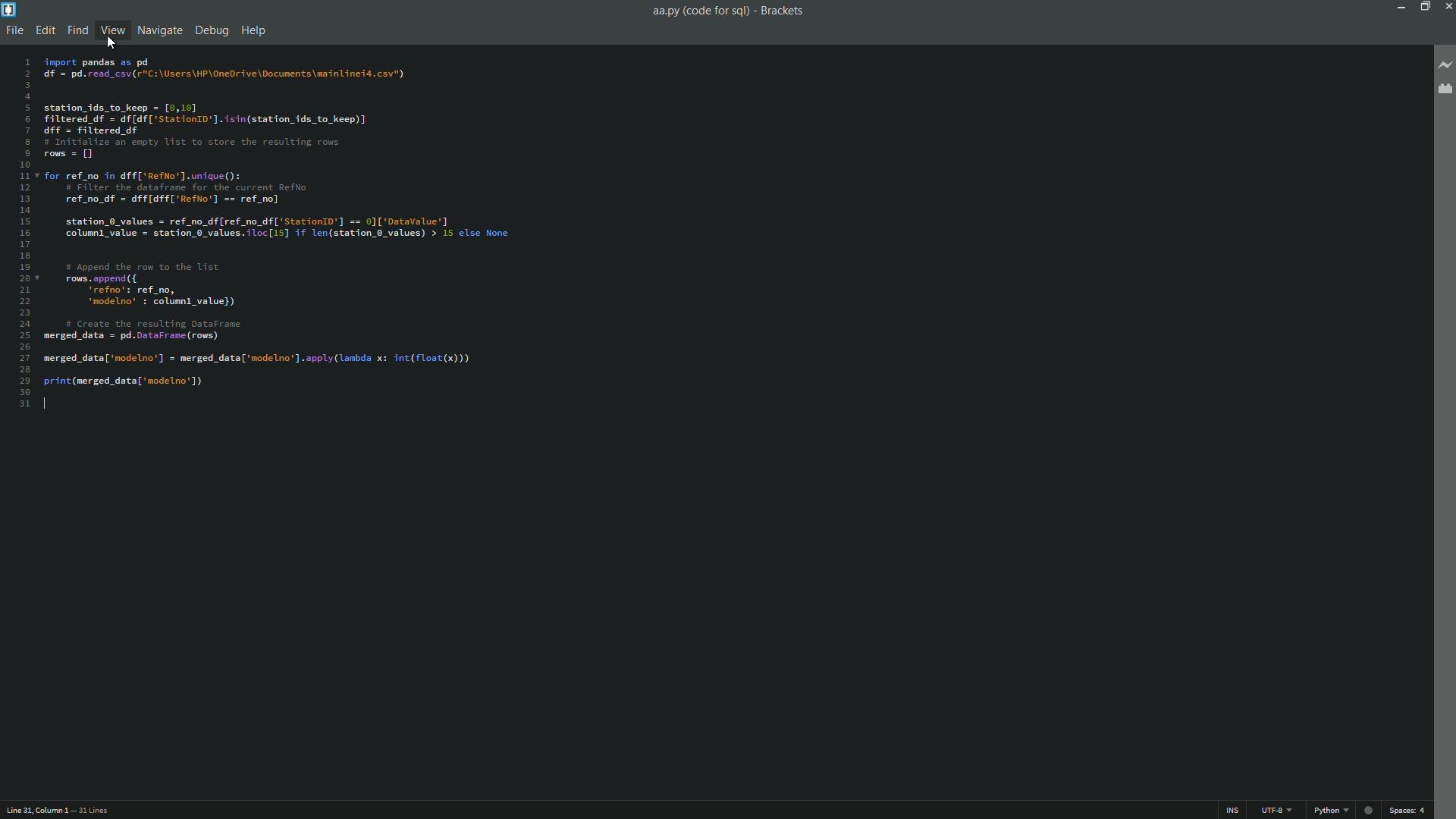 The width and height of the screenshot is (1456, 819). What do you see at coordinates (111, 29) in the screenshot?
I see `view menu` at bounding box center [111, 29].